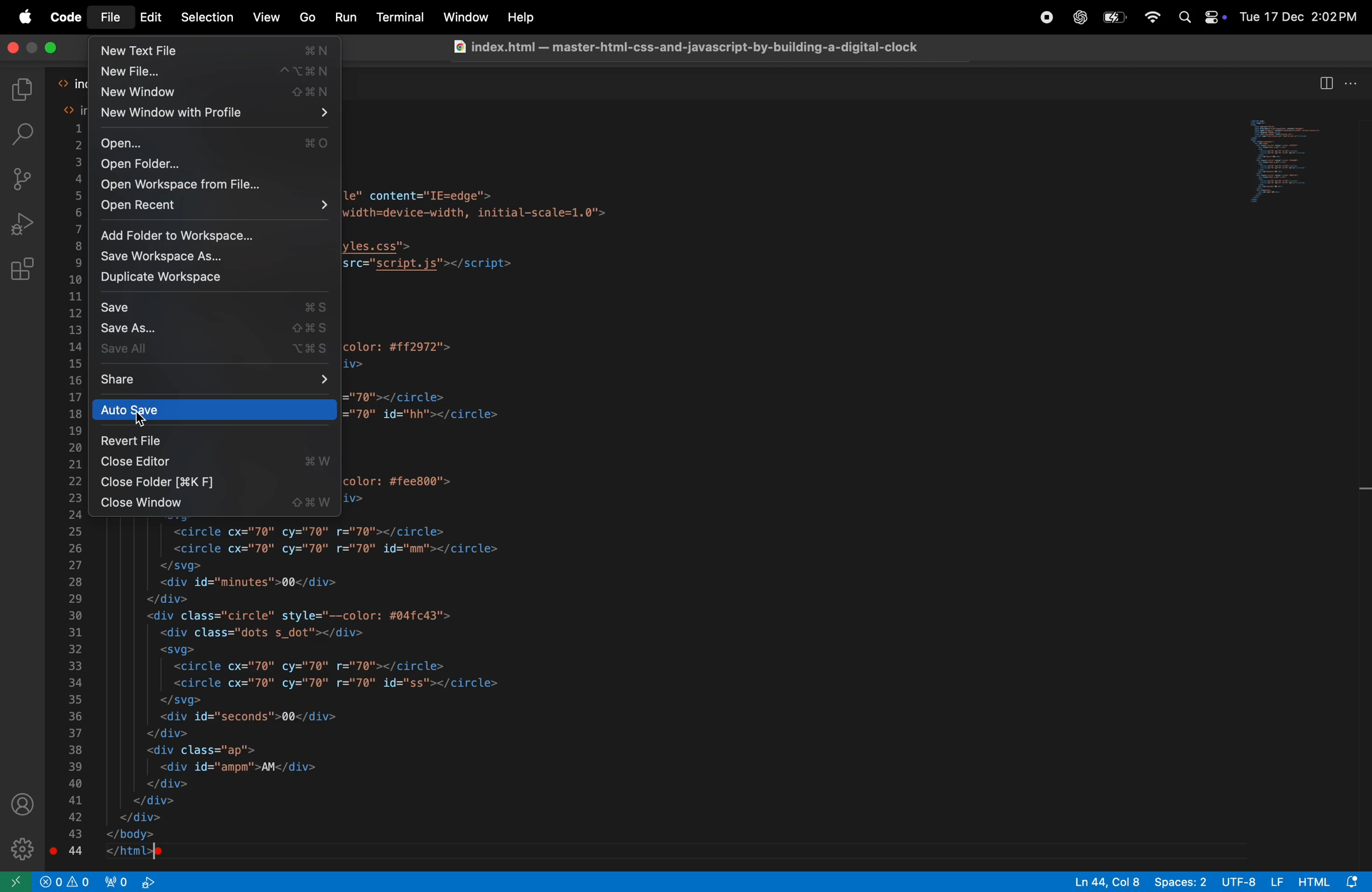 Image resolution: width=1372 pixels, height=892 pixels. What do you see at coordinates (219, 95) in the screenshot?
I see `new window` at bounding box center [219, 95].